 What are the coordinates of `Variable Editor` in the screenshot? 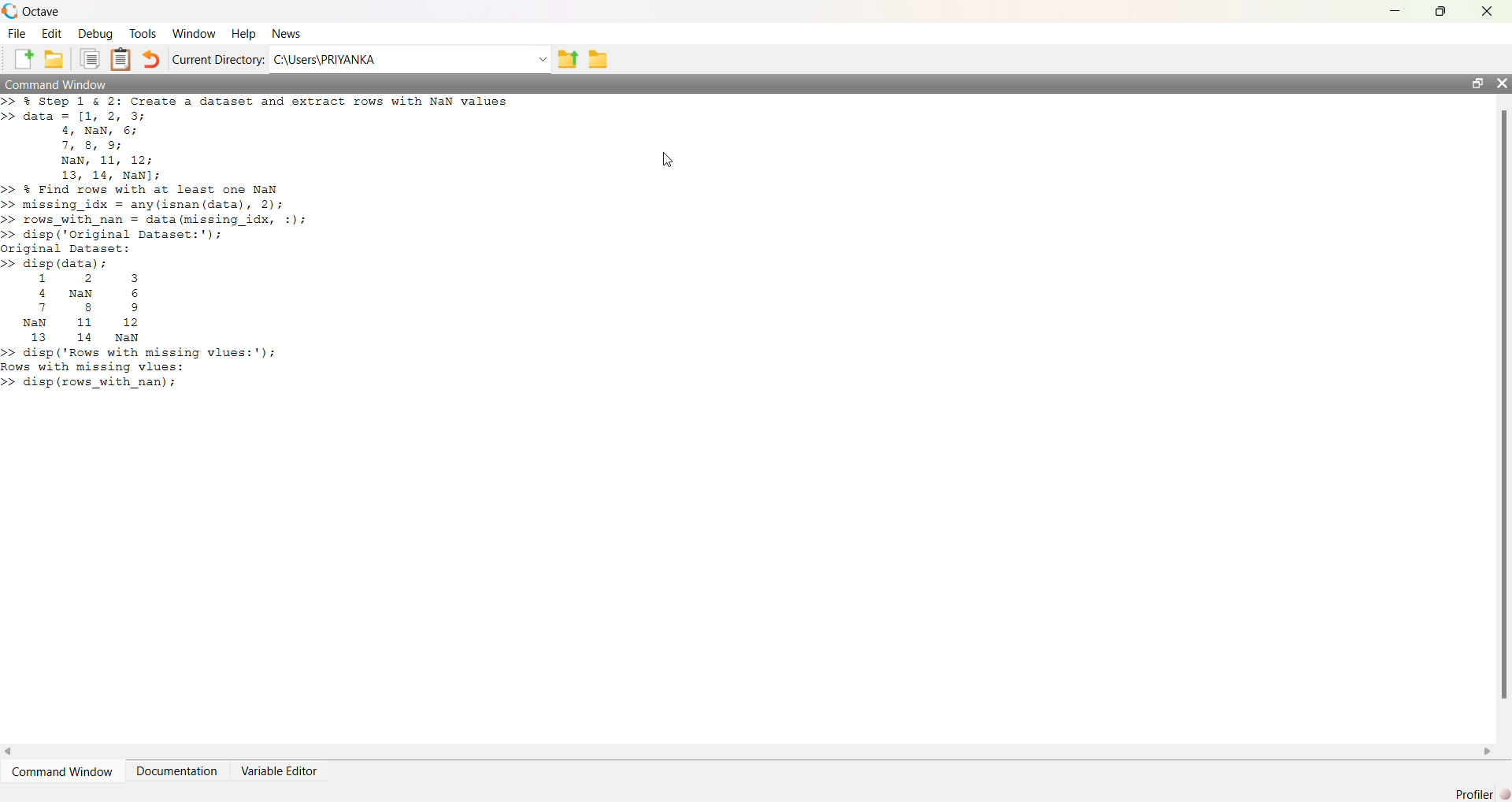 It's located at (278, 771).